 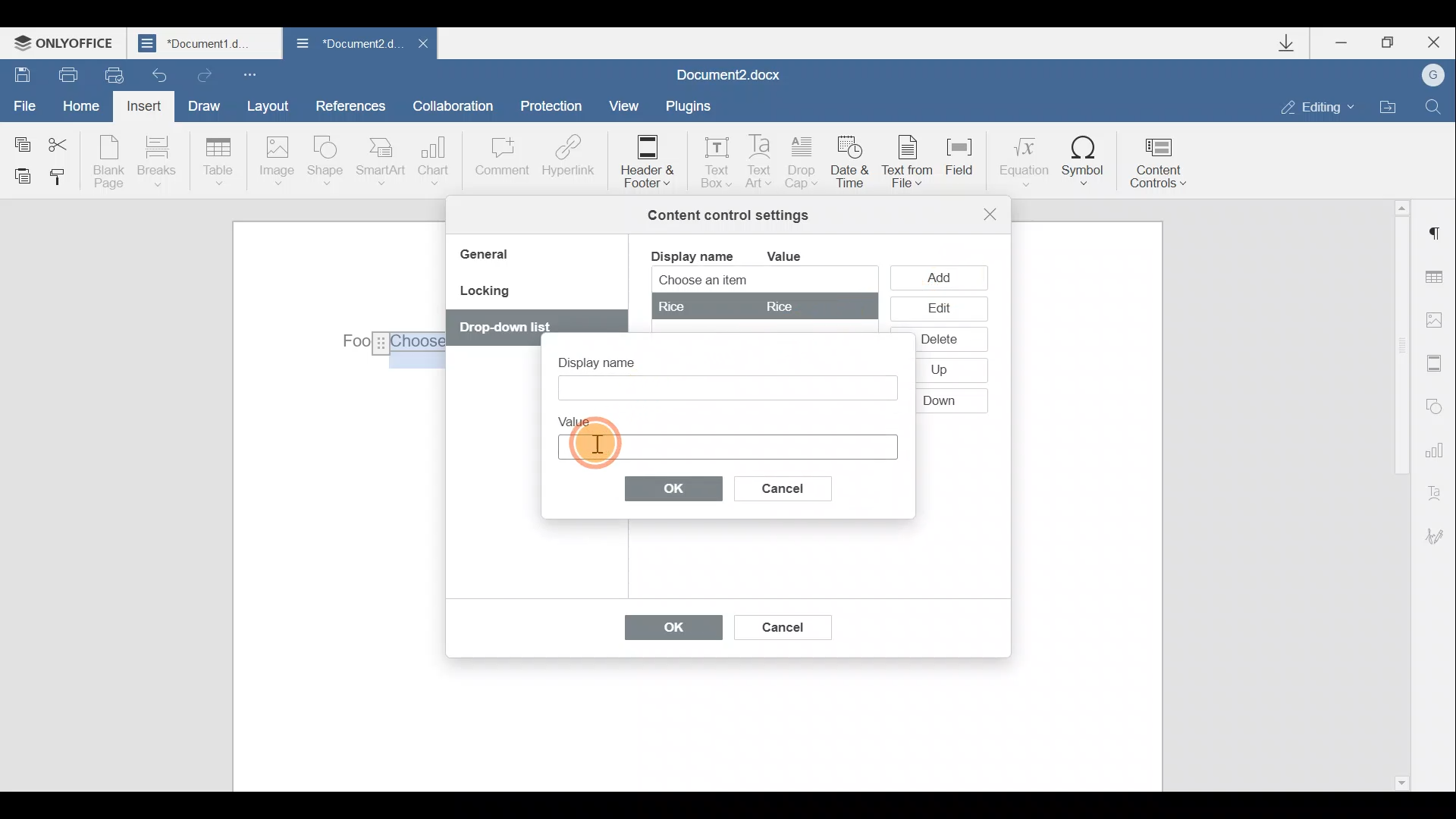 I want to click on File, so click(x=26, y=104).